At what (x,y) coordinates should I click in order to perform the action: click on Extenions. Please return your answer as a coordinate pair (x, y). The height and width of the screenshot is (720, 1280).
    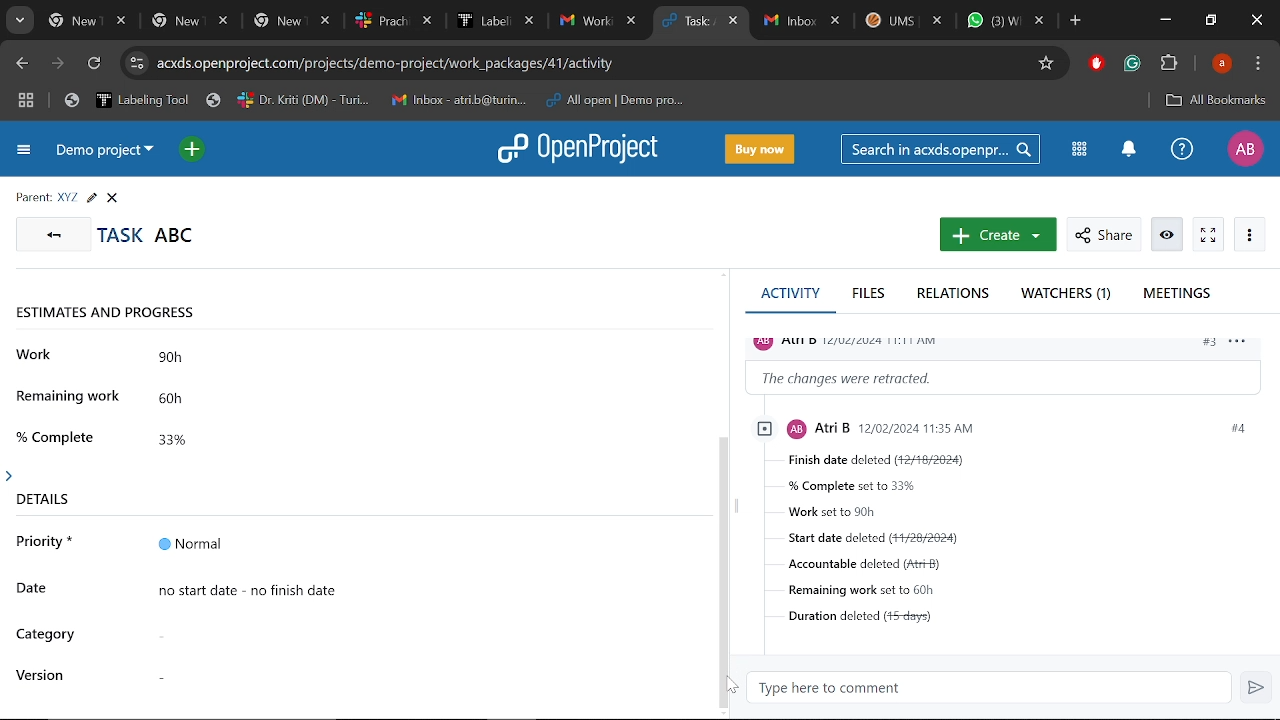
    Looking at the image, I should click on (1169, 65).